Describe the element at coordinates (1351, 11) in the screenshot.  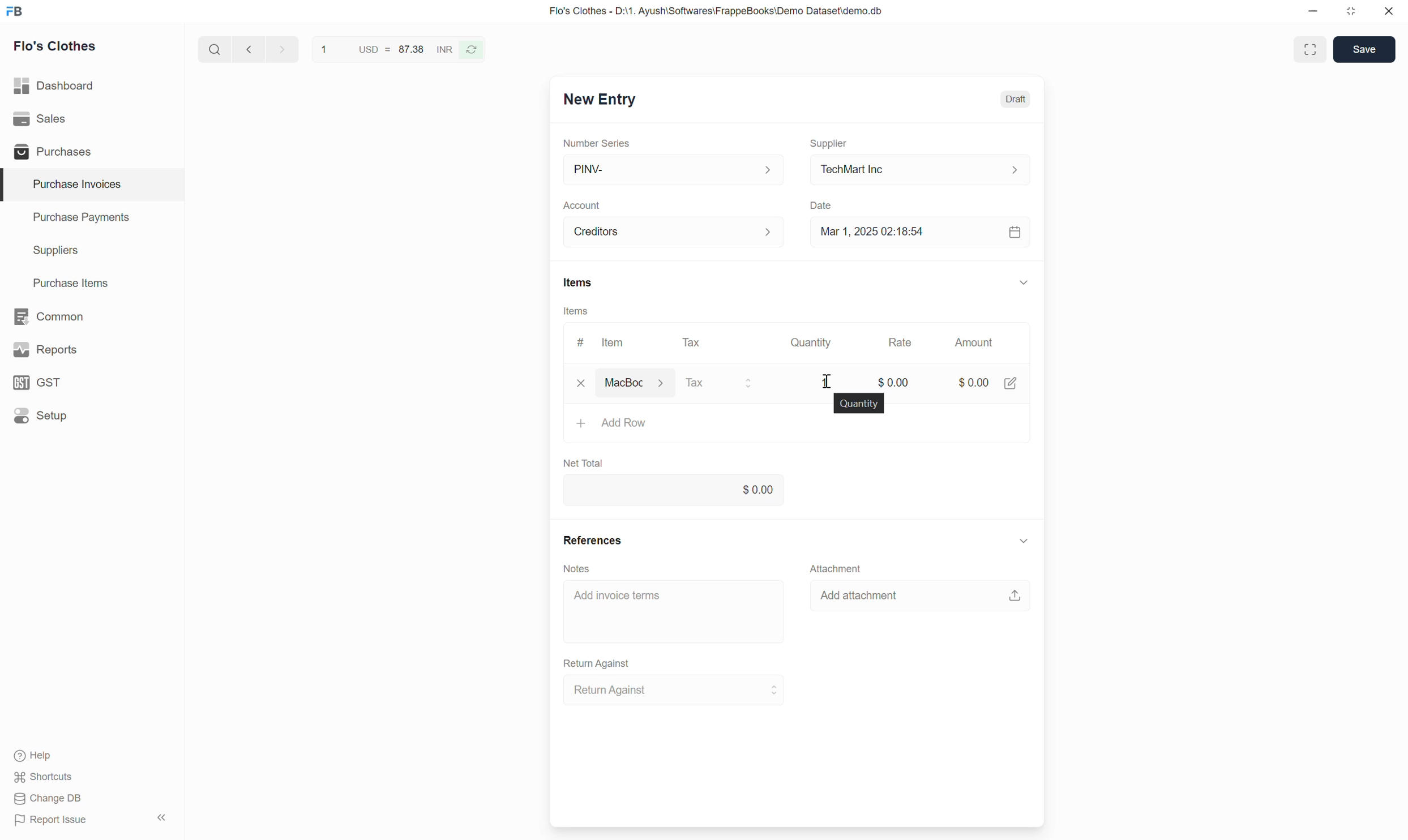
I see `Change dimension` at that location.